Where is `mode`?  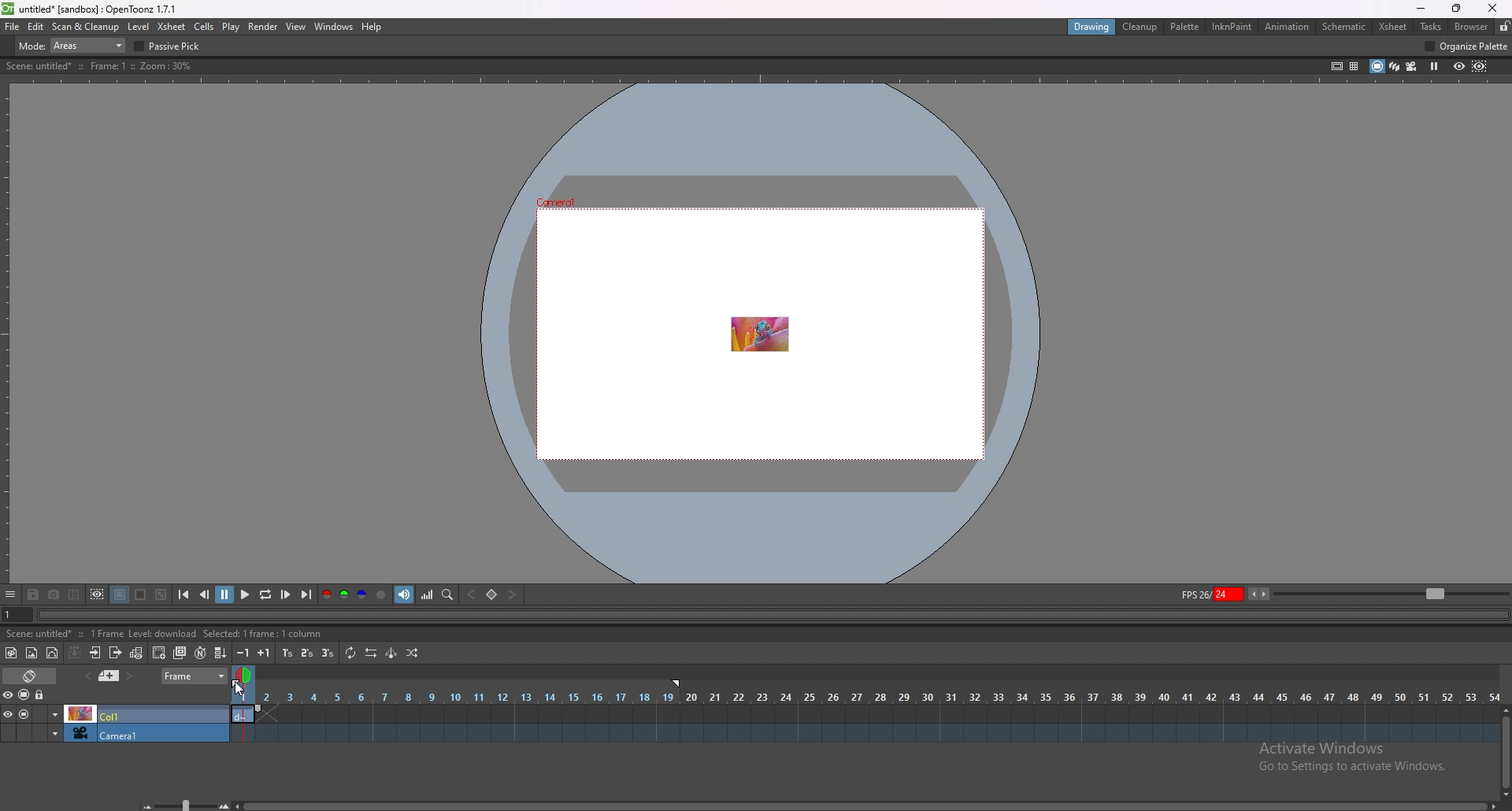 mode is located at coordinates (72, 45).